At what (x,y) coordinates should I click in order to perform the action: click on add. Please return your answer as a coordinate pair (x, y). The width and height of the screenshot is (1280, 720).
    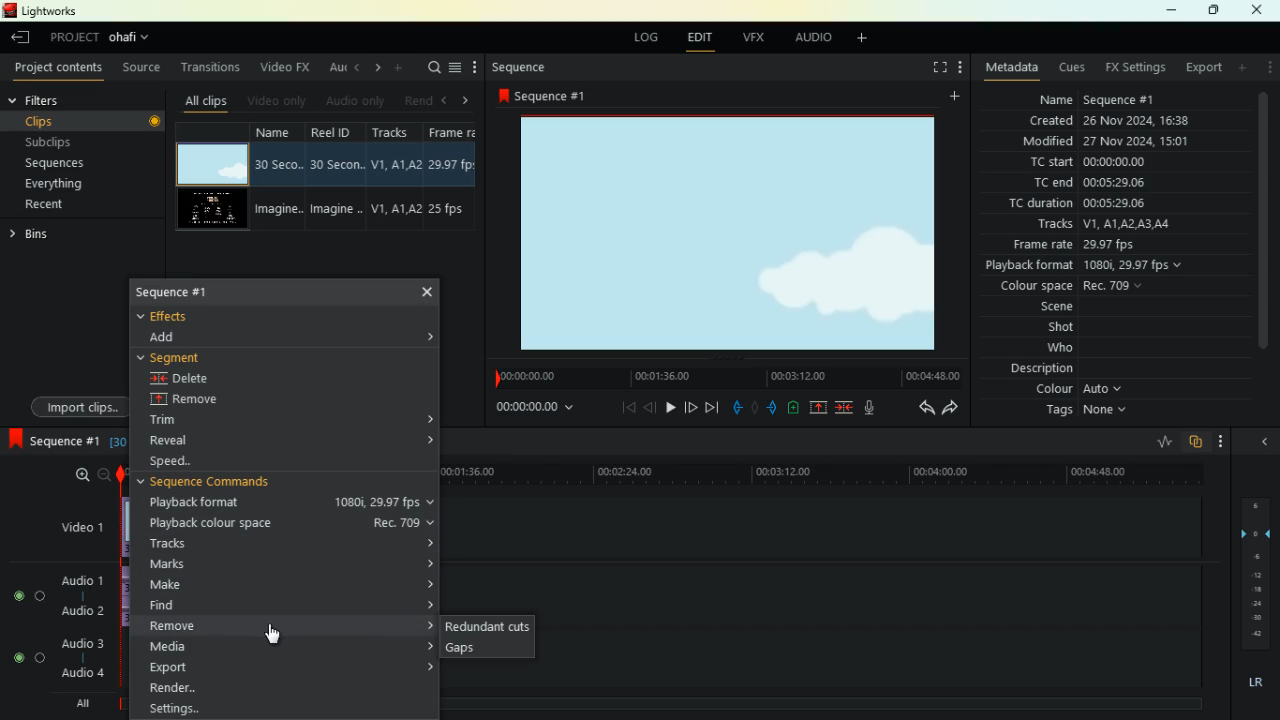
    Looking at the image, I should click on (866, 41).